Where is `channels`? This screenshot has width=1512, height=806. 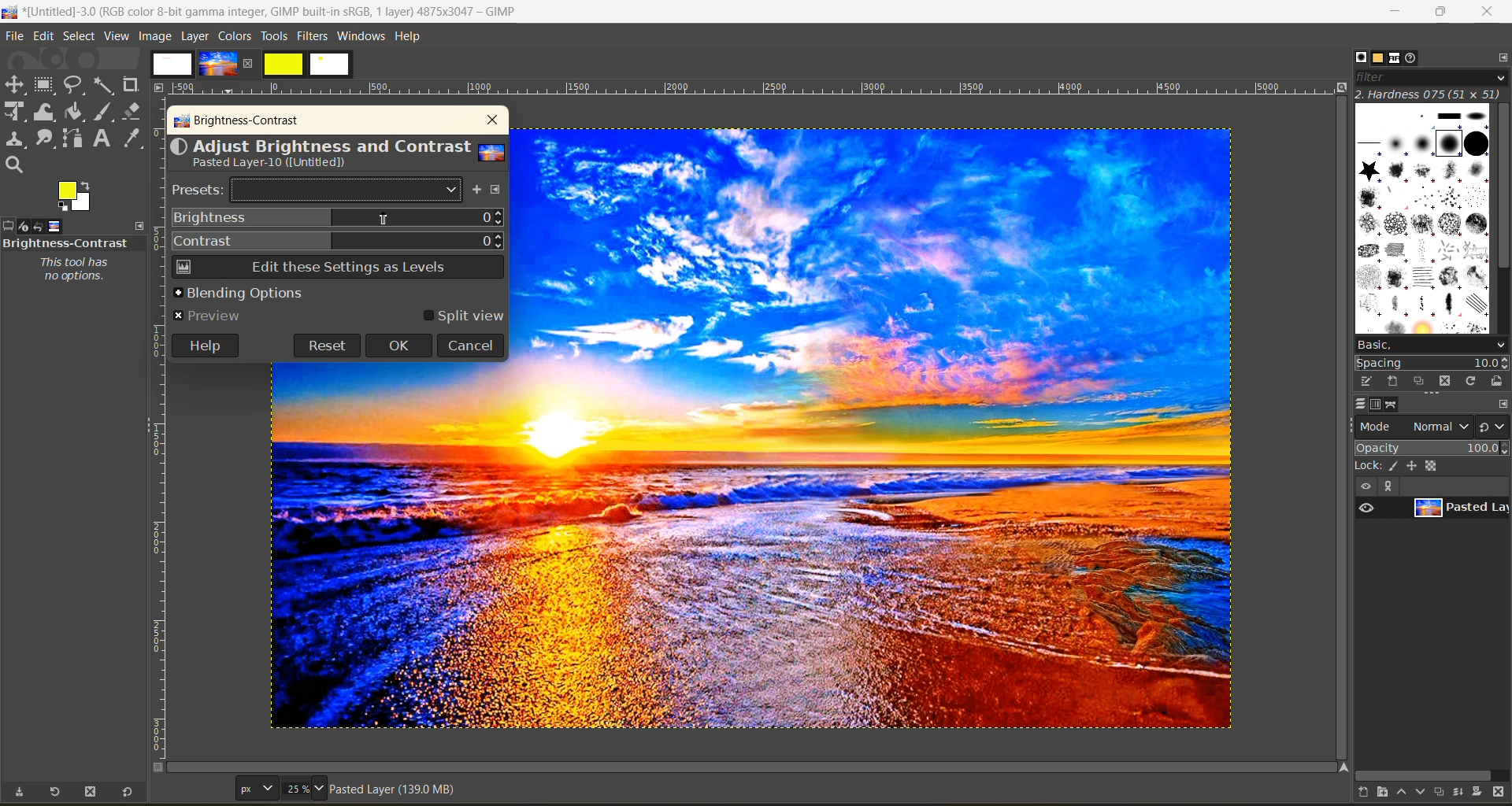 channels is located at coordinates (1376, 405).